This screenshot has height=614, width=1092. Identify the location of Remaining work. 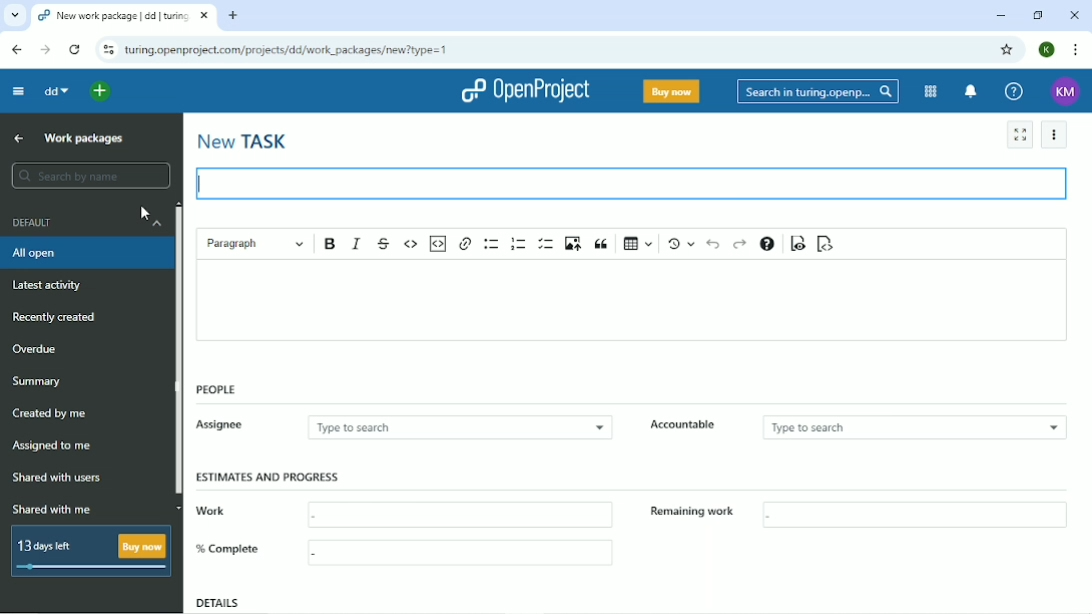
(695, 516).